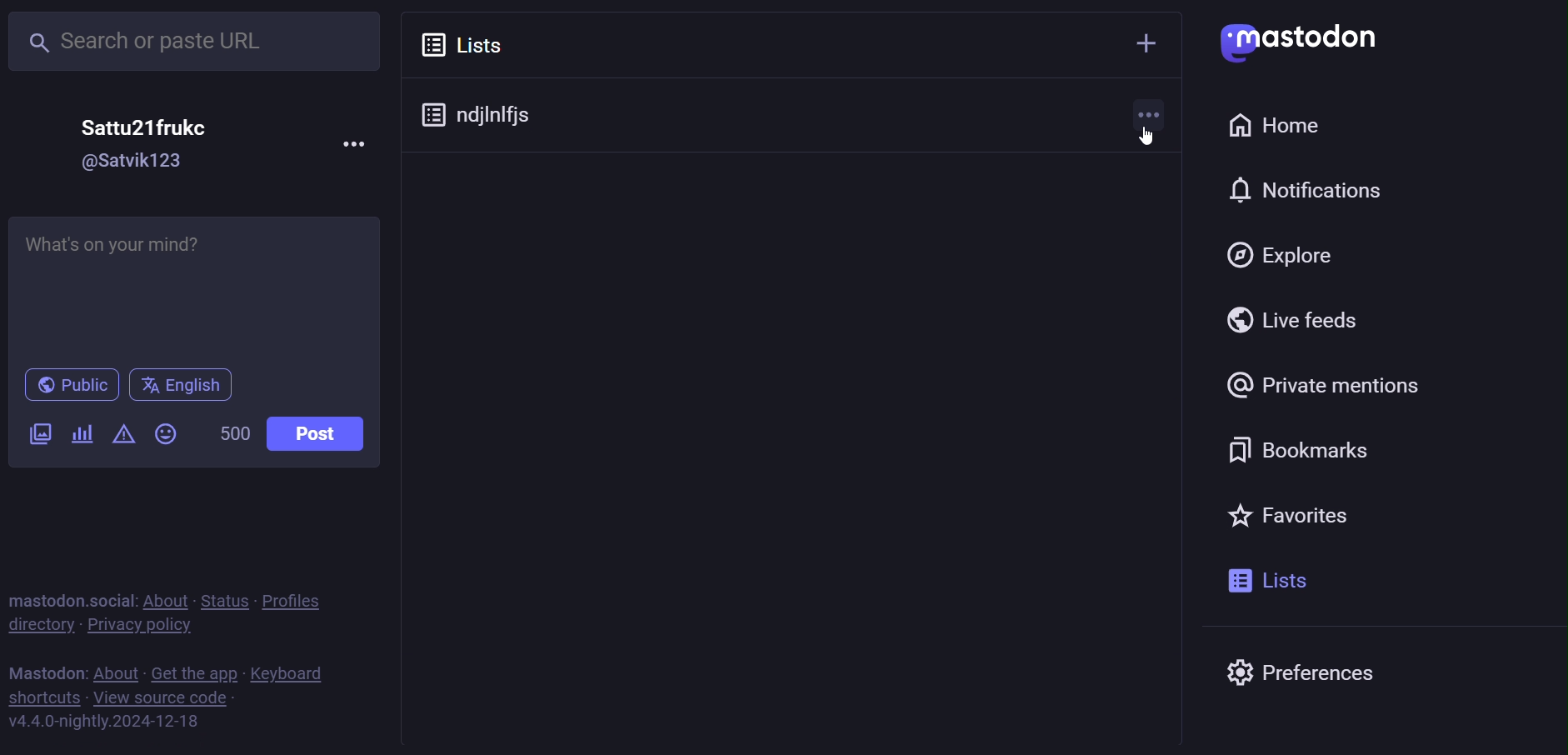 This screenshot has width=1568, height=755. Describe the element at coordinates (1301, 516) in the screenshot. I see `favorite` at that location.